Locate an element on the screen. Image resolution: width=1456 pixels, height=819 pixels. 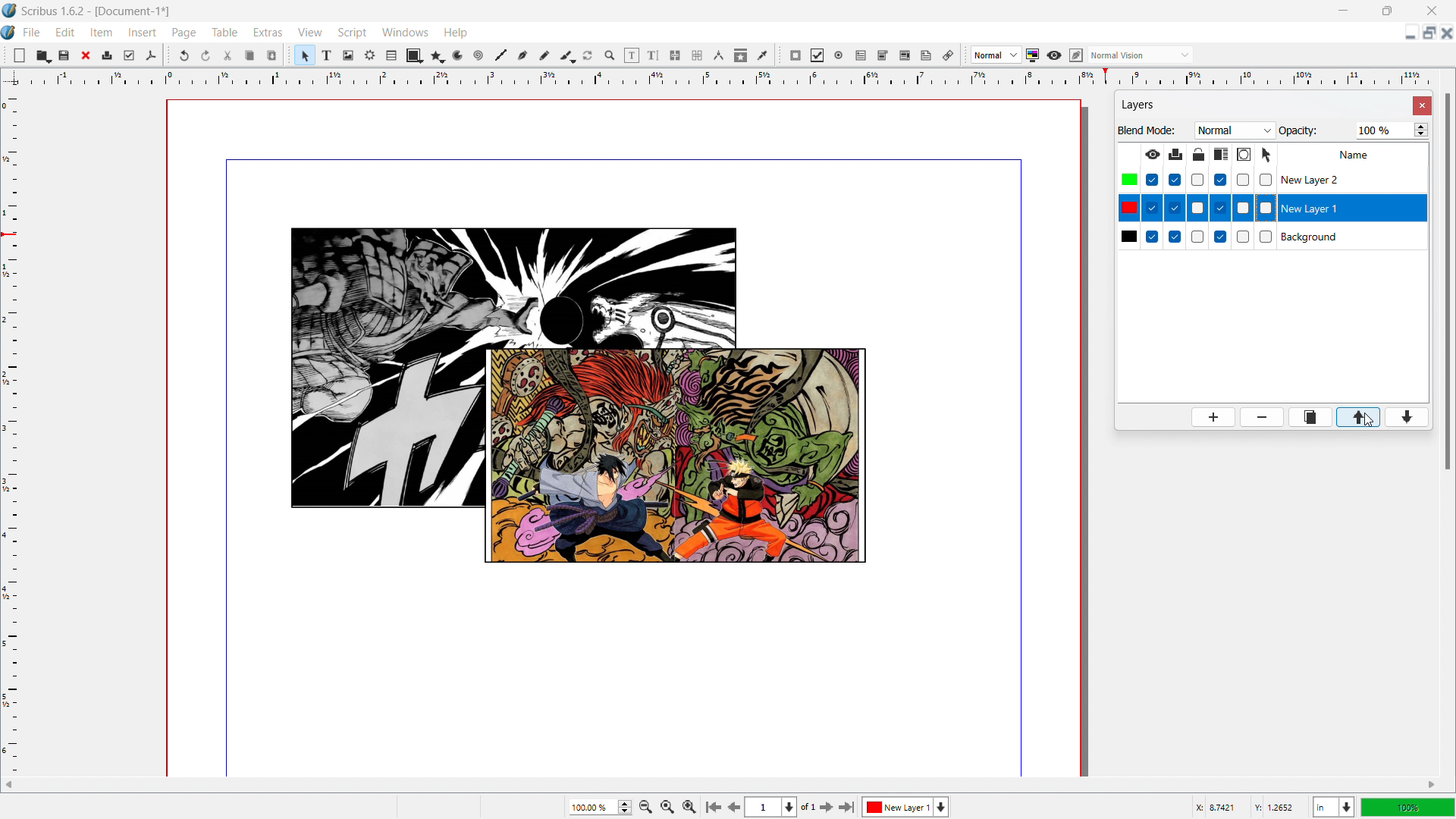
select objects on layer is located at coordinates (1267, 155).